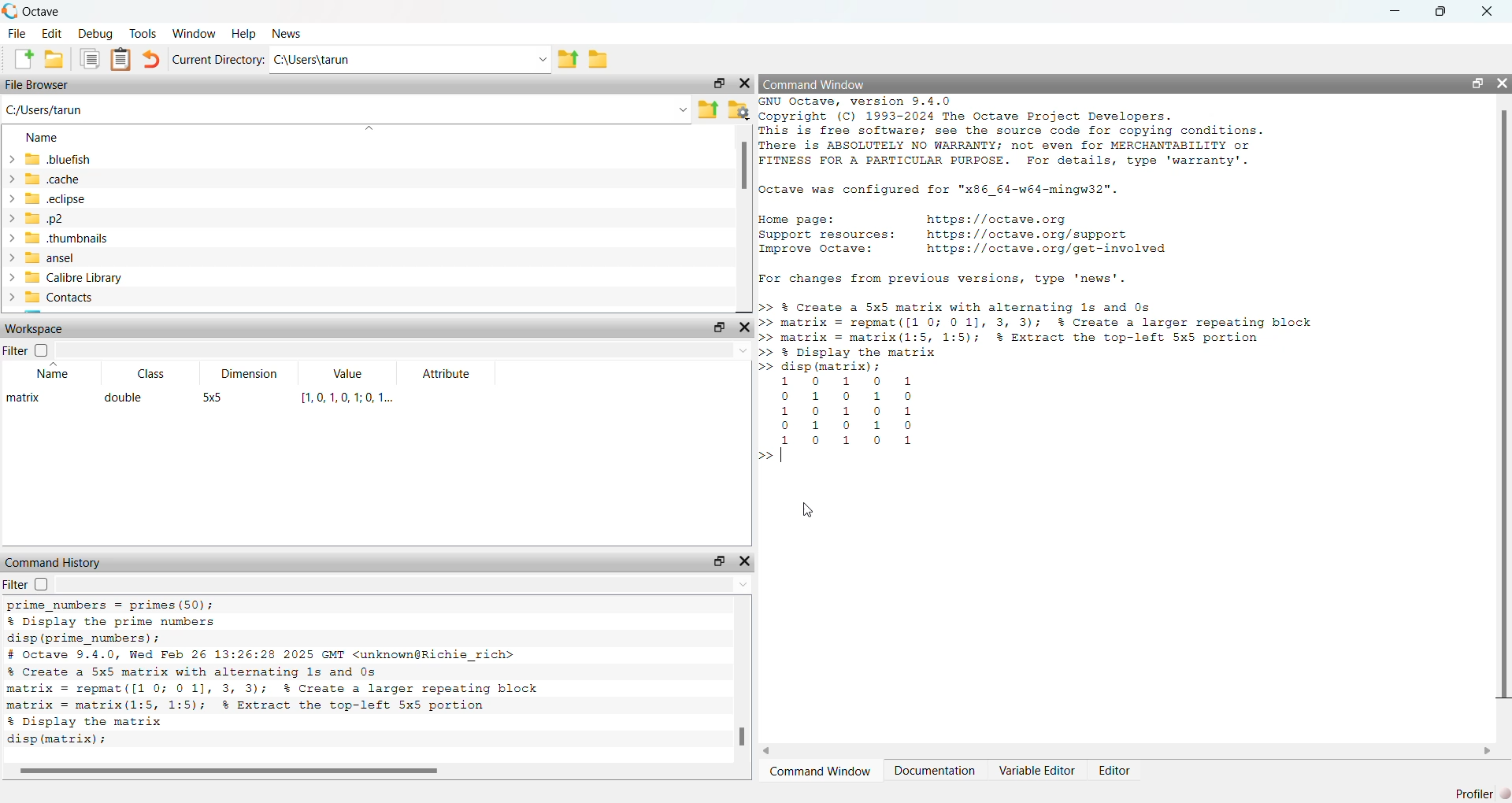 This screenshot has width=1512, height=803. I want to click on Contacts, so click(61, 298).